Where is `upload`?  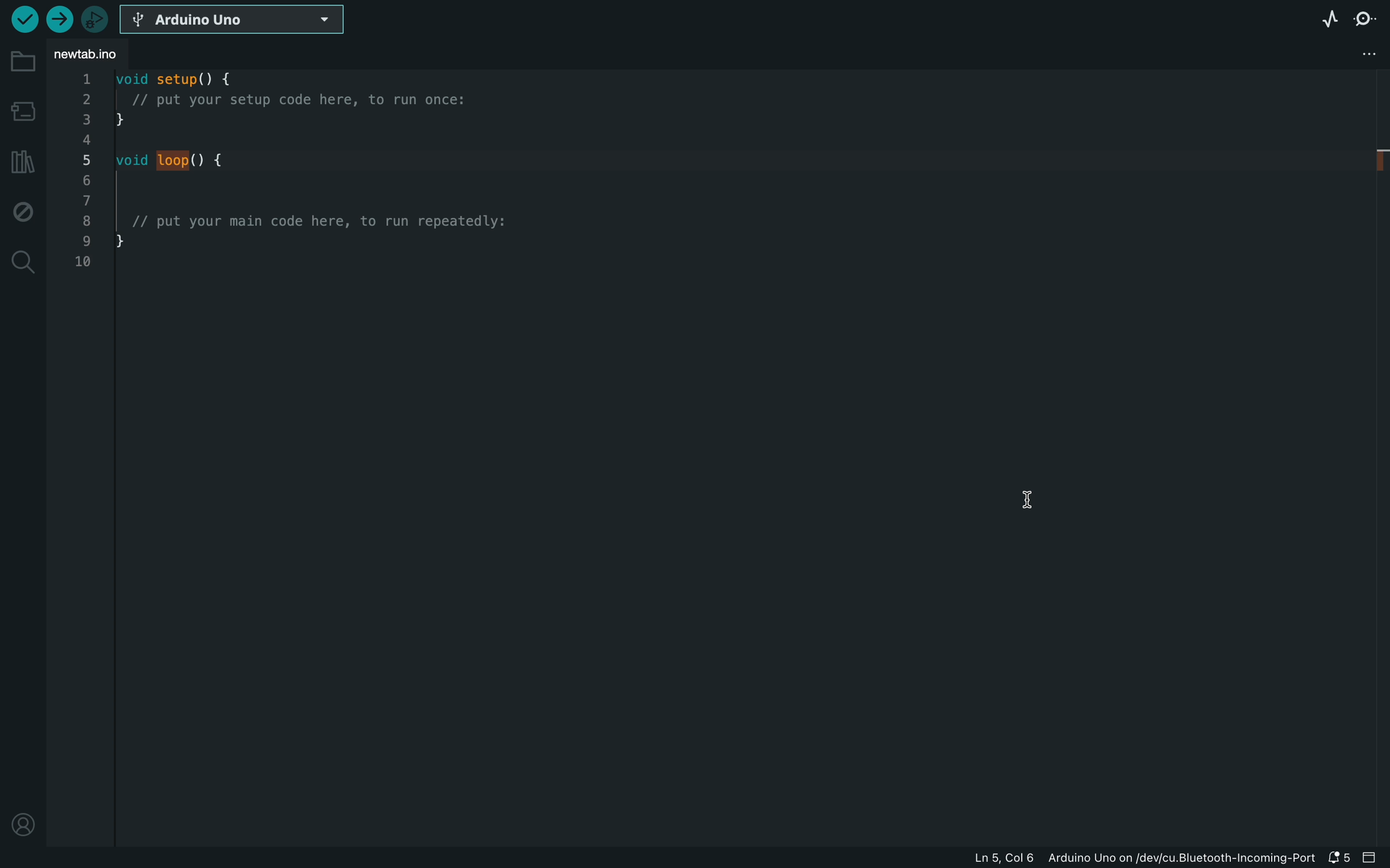
upload is located at coordinates (59, 21).